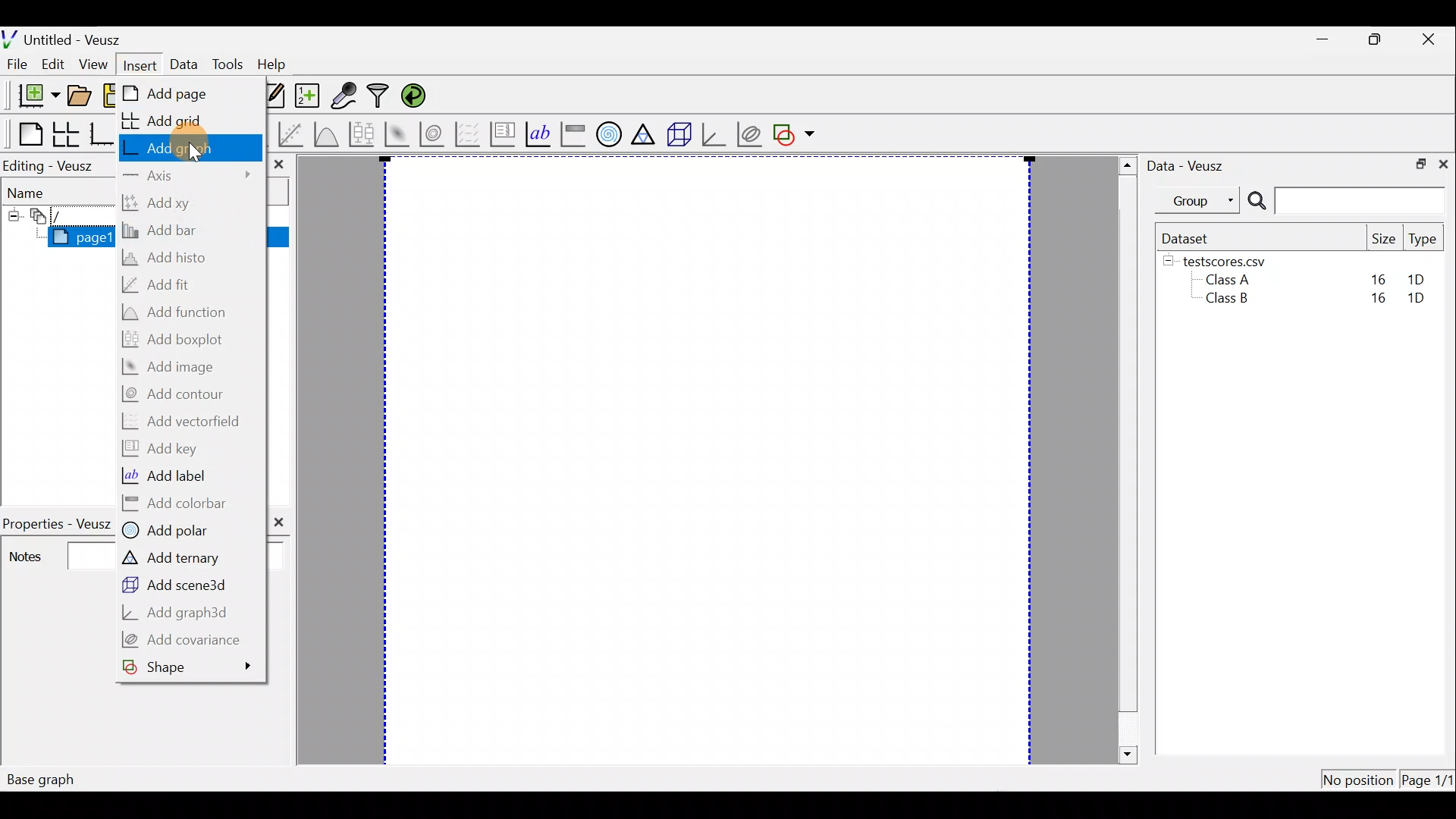  What do you see at coordinates (168, 475) in the screenshot?
I see `Add label` at bounding box center [168, 475].